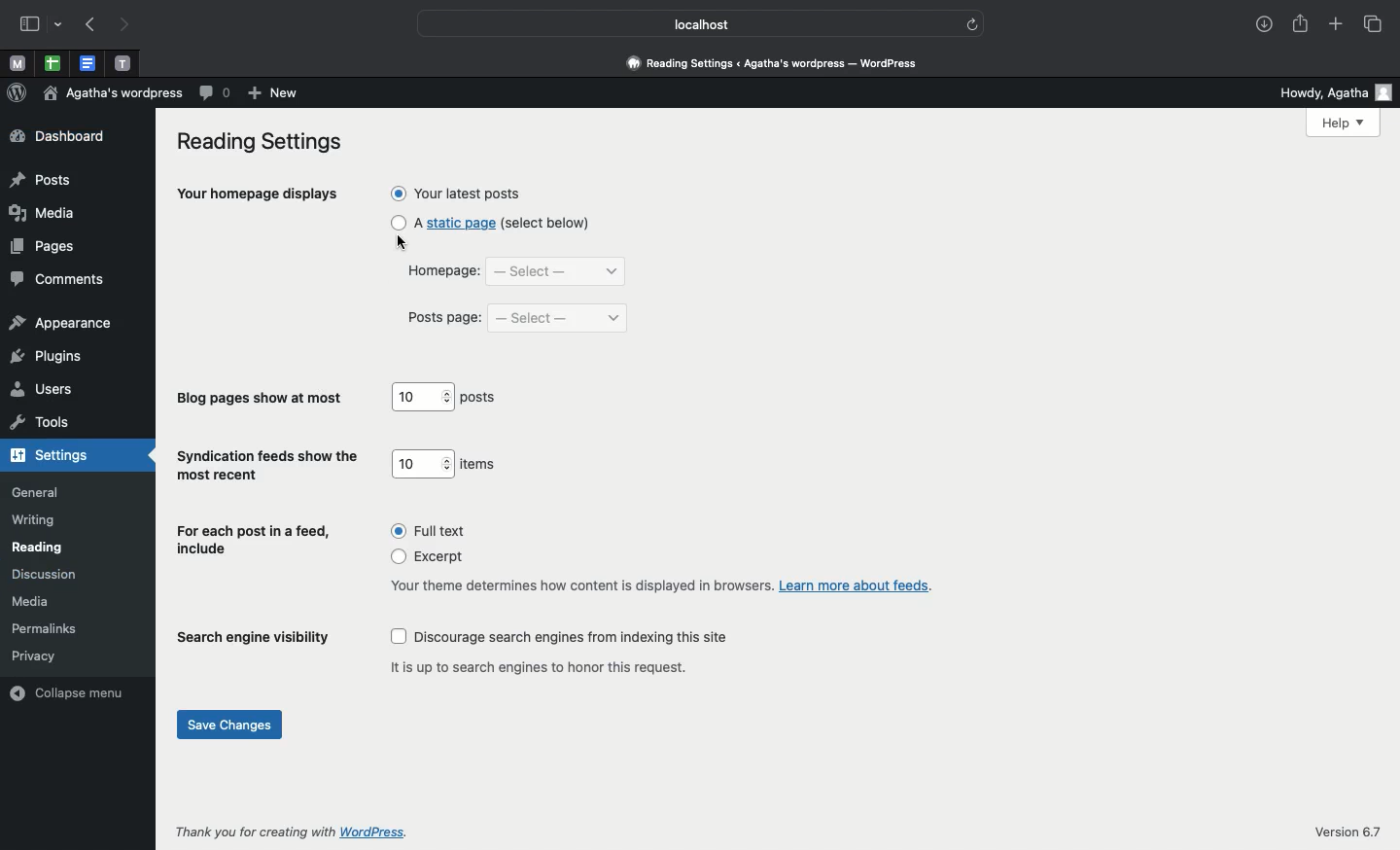 The height and width of the screenshot is (850, 1400). What do you see at coordinates (974, 24) in the screenshot?
I see `refresh` at bounding box center [974, 24].